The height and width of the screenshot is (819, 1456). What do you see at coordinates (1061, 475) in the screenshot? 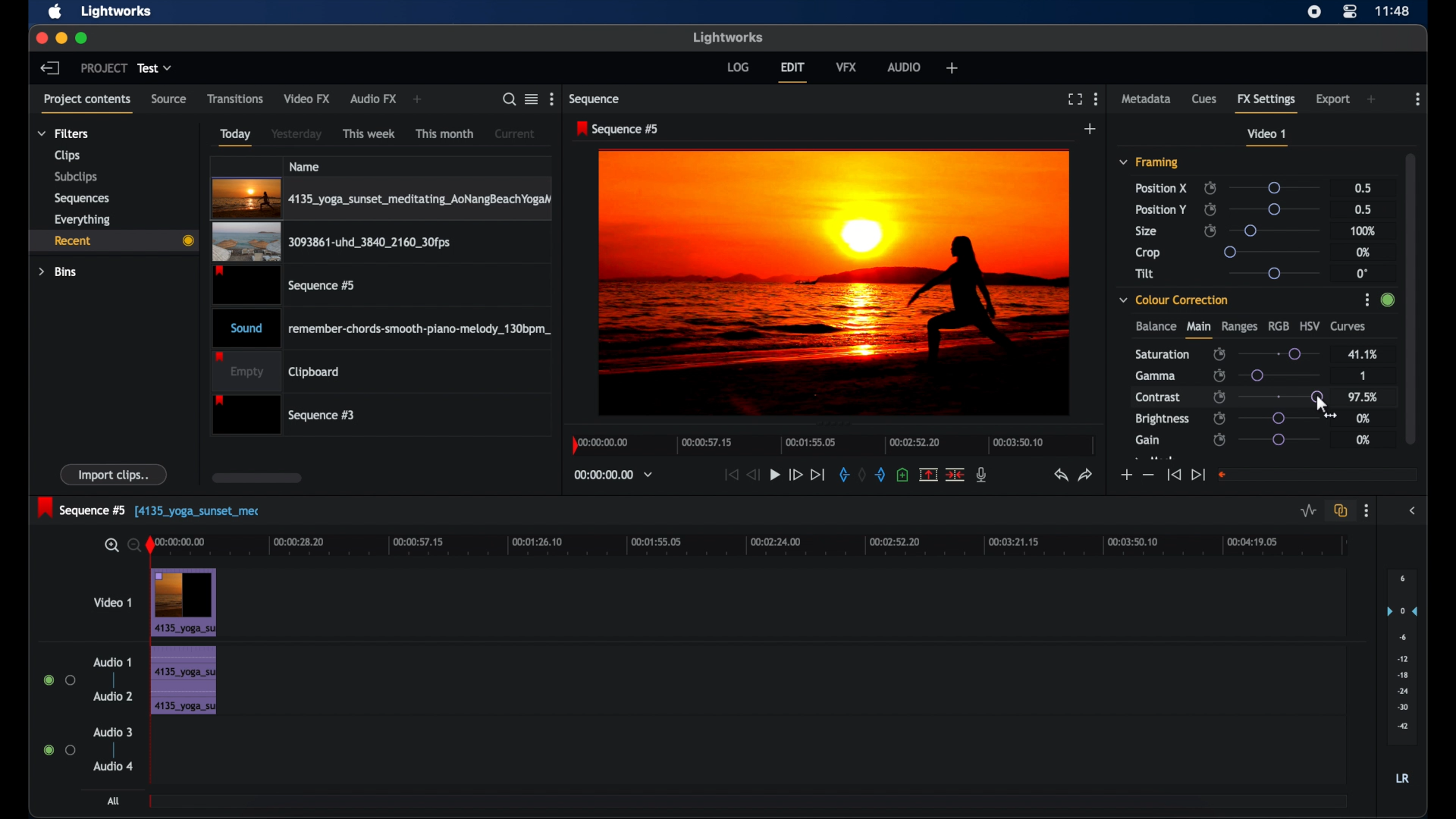
I see `undo` at bounding box center [1061, 475].